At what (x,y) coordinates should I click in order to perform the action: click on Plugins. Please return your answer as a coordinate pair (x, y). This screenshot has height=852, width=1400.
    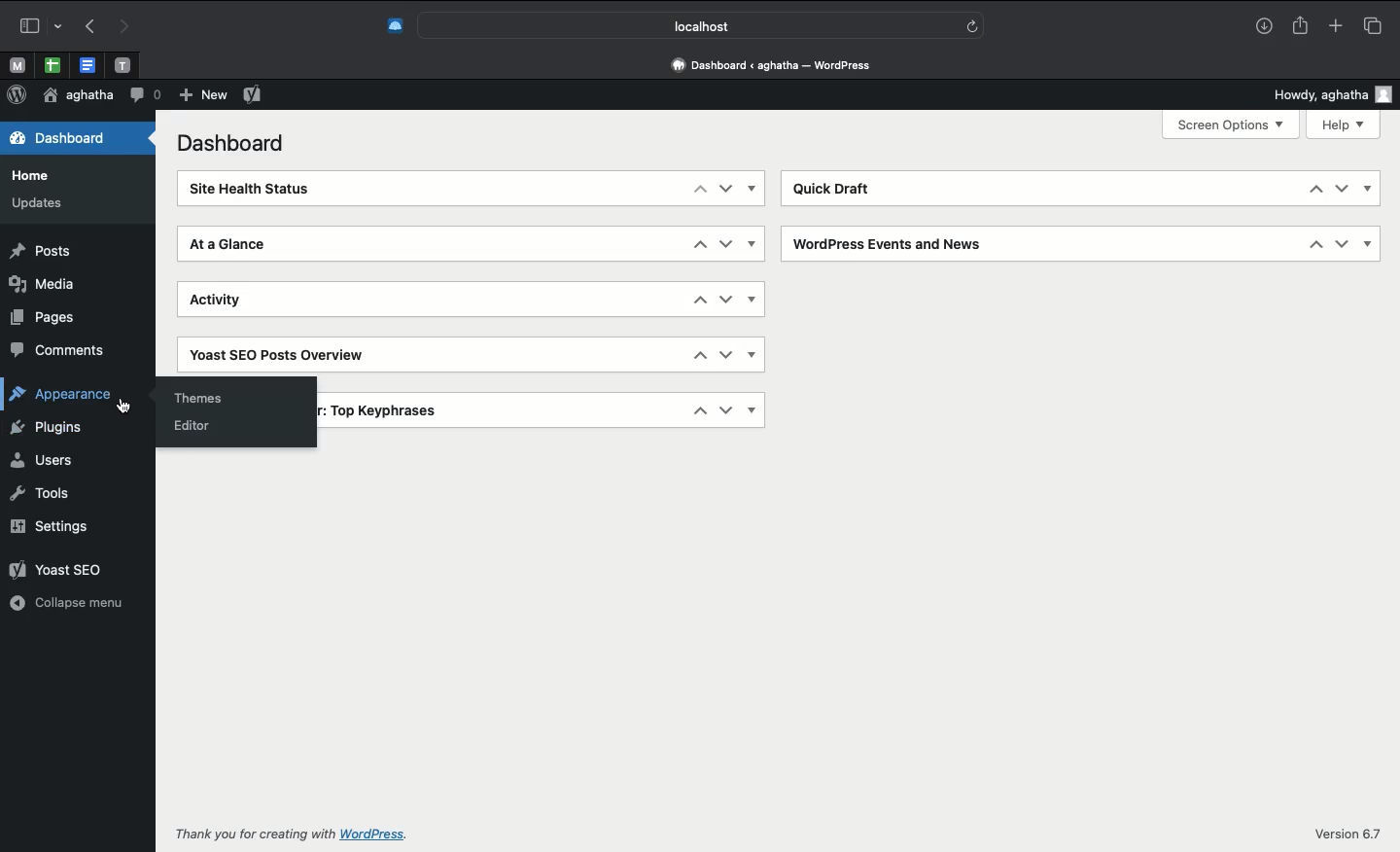
    Looking at the image, I should click on (50, 429).